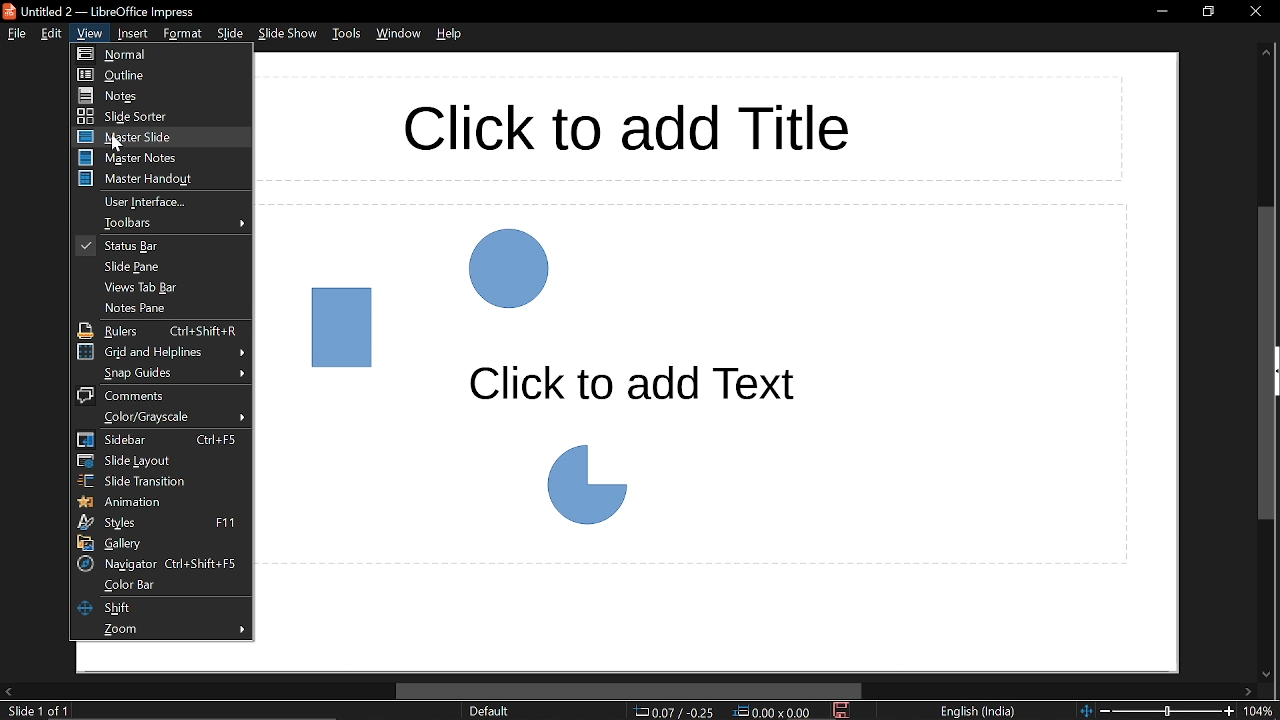  What do you see at coordinates (159, 629) in the screenshot?
I see `Zoom` at bounding box center [159, 629].